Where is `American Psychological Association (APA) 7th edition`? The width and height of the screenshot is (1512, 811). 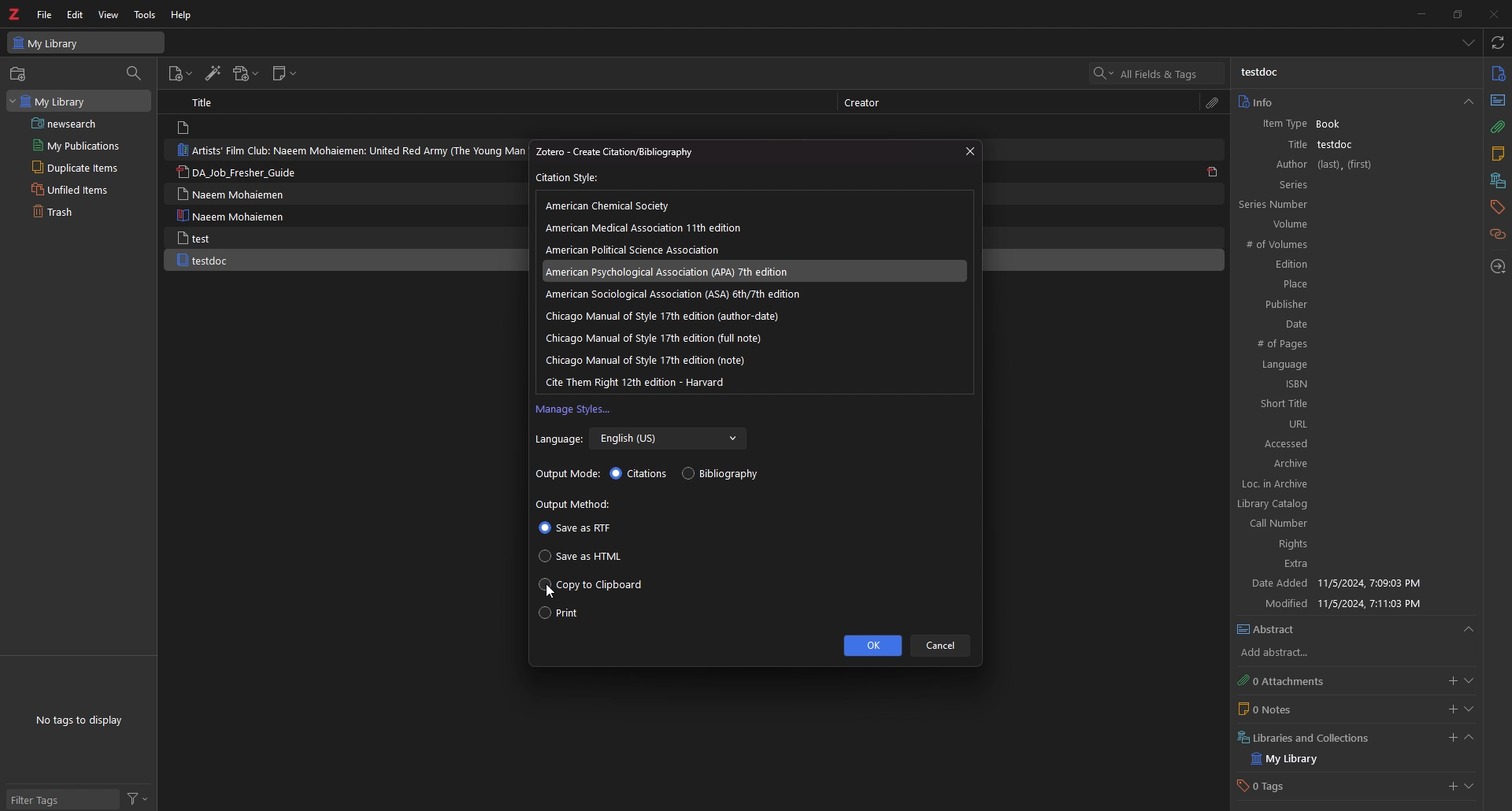 American Psychological Association (APA) 7th edition is located at coordinates (680, 271).